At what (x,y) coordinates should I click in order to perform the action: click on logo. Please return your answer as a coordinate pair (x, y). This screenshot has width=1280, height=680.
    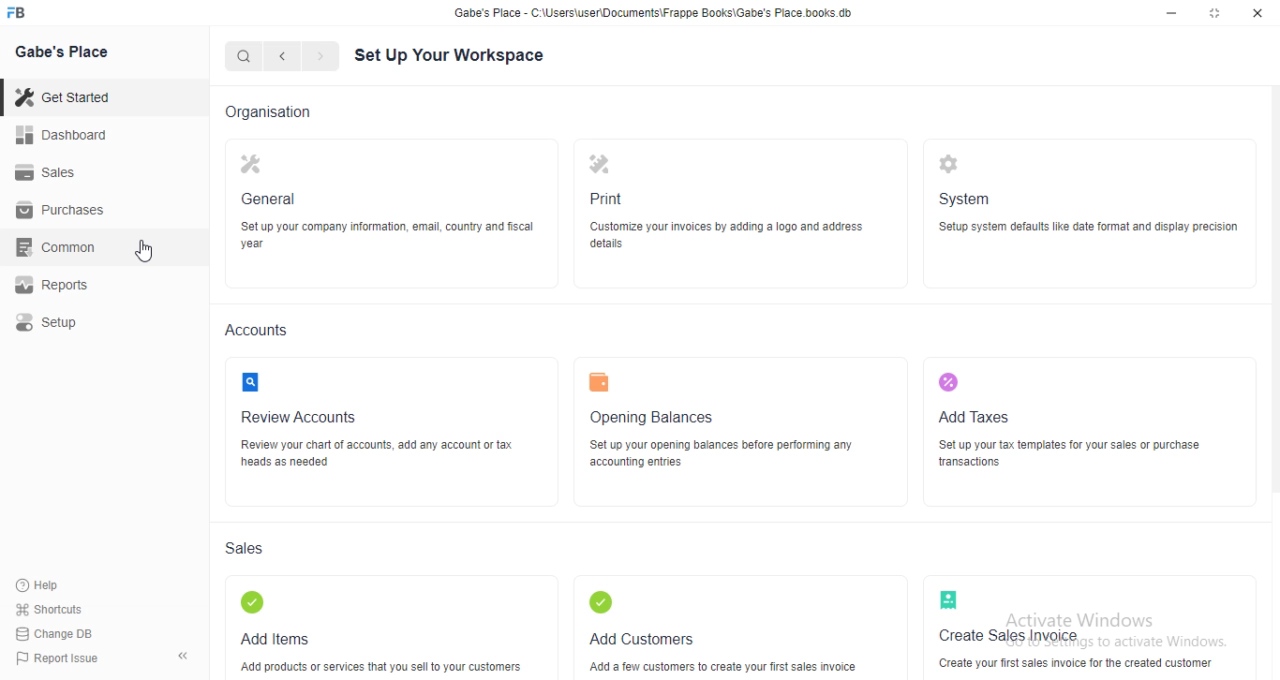
    Looking at the image, I should click on (16, 12).